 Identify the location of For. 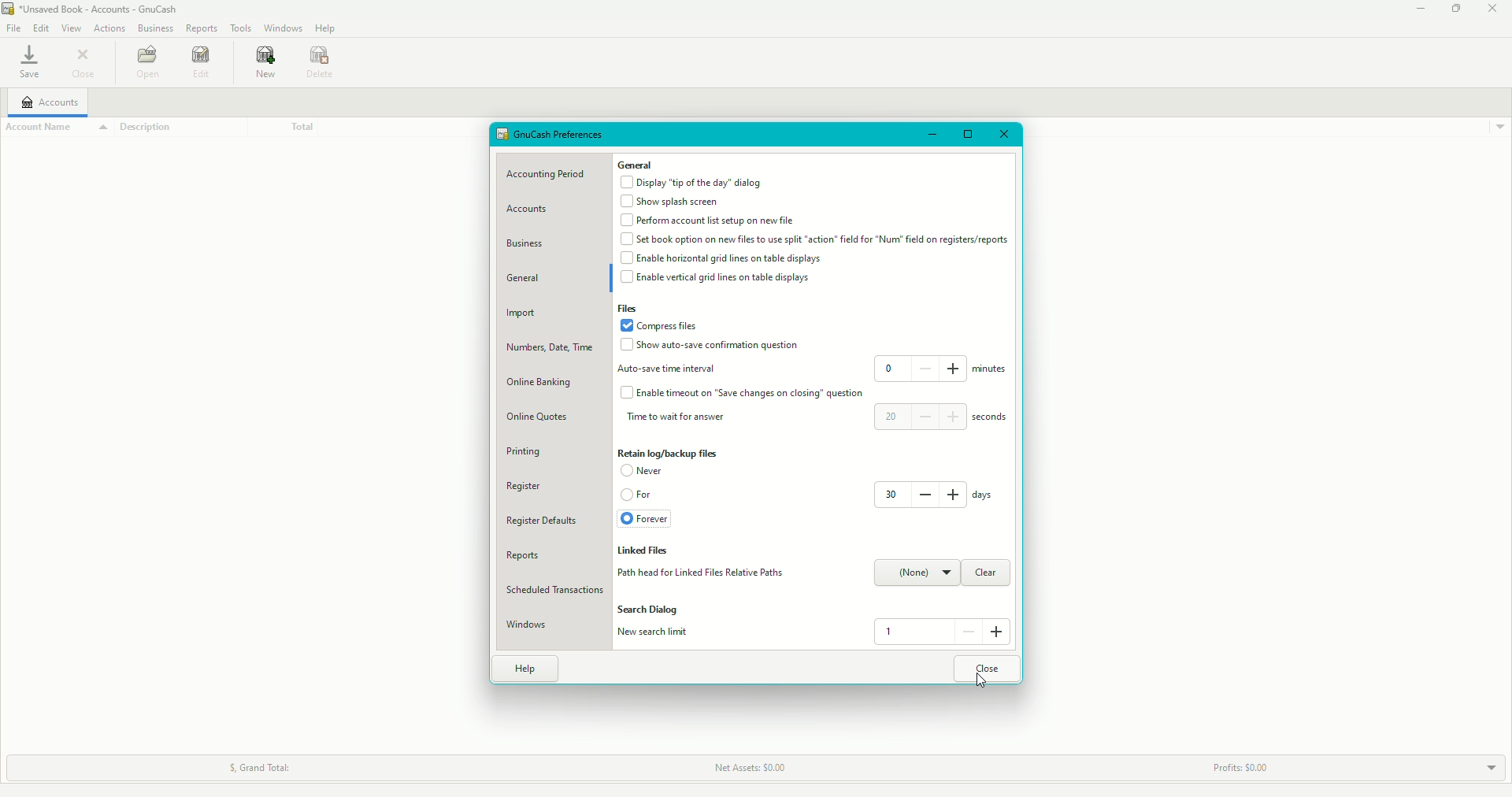
(636, 495).